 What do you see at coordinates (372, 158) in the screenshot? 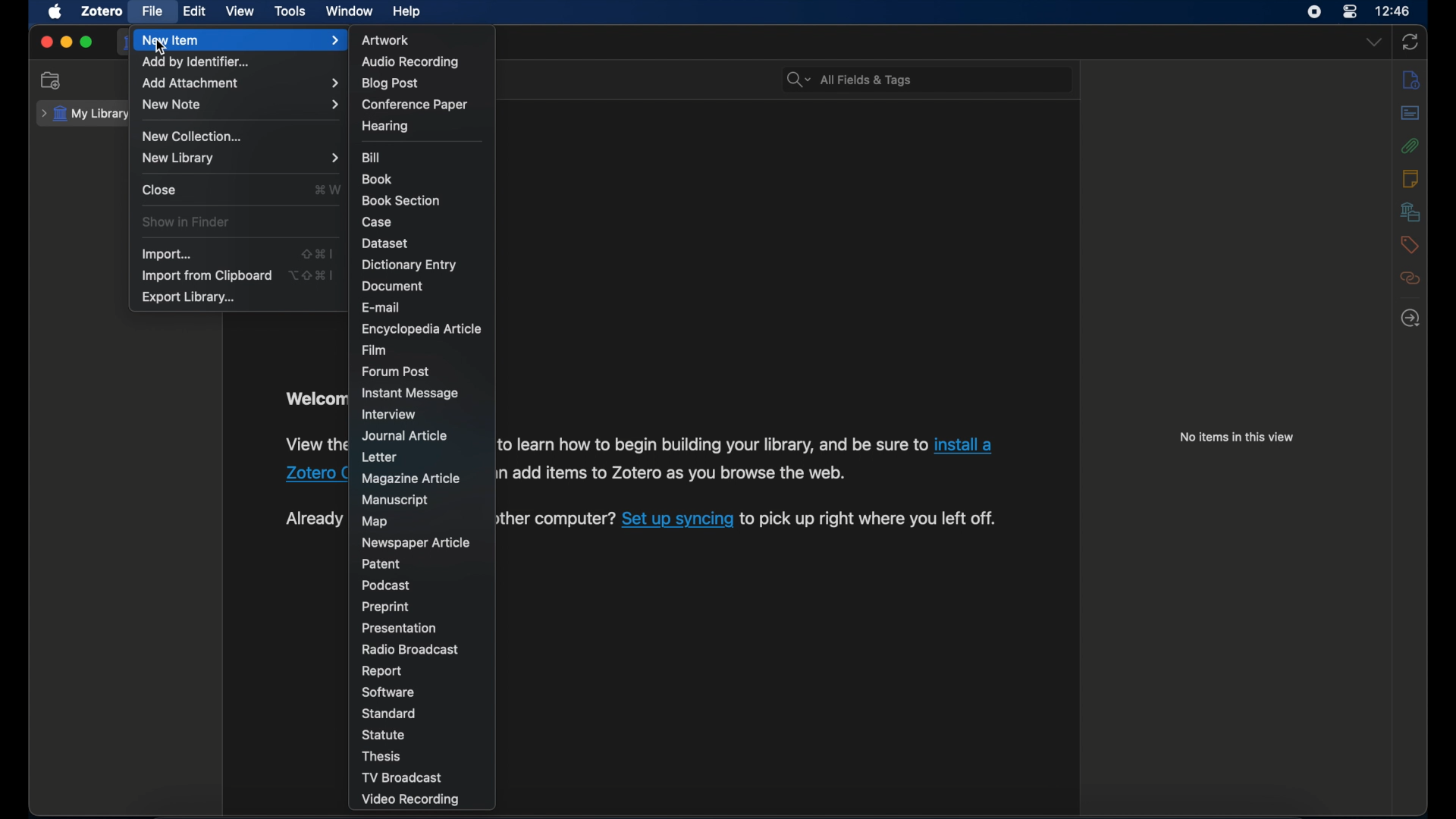
I see `bill` at bounding box center [372, 158].